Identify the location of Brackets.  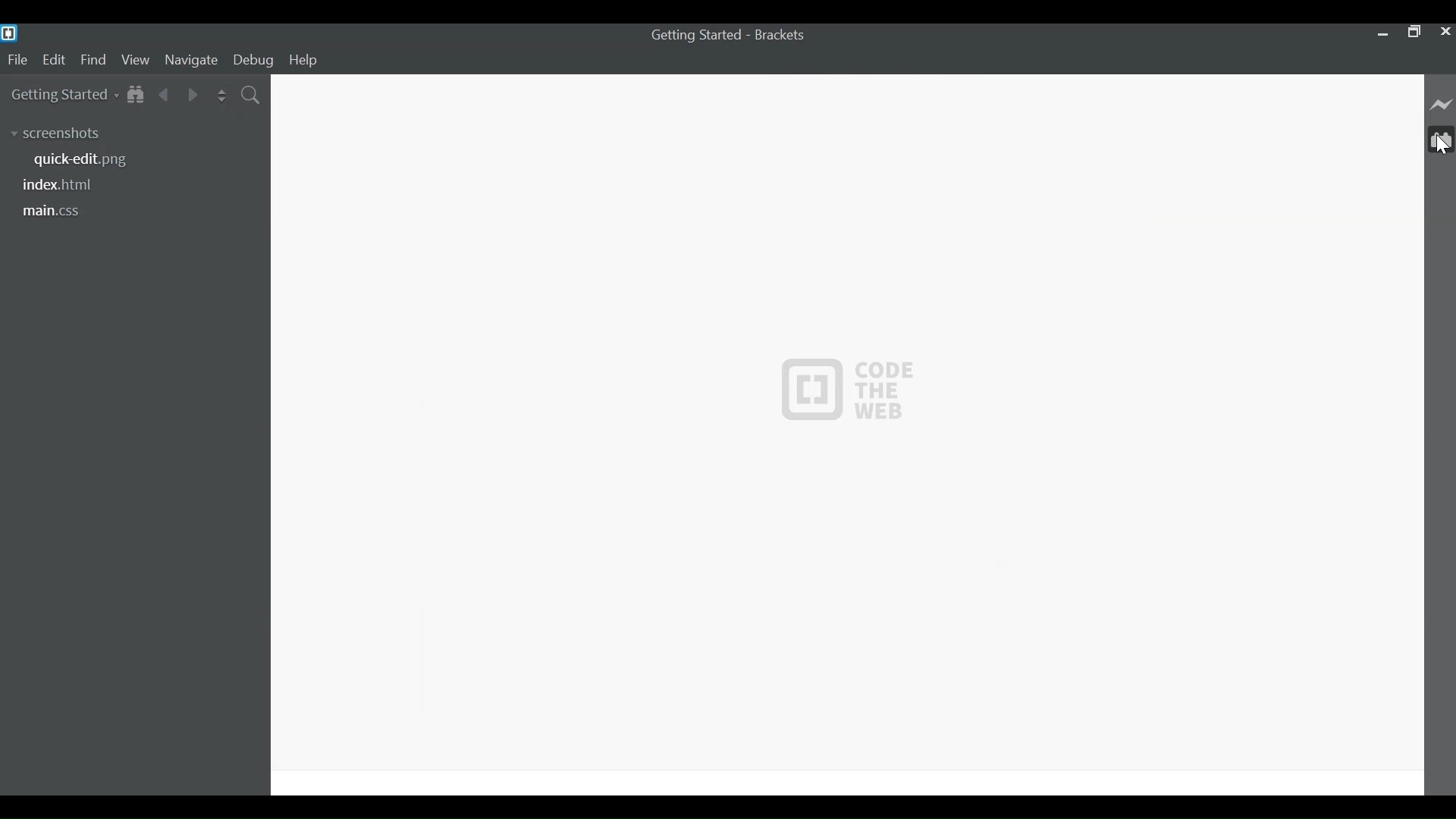
(784, 35).